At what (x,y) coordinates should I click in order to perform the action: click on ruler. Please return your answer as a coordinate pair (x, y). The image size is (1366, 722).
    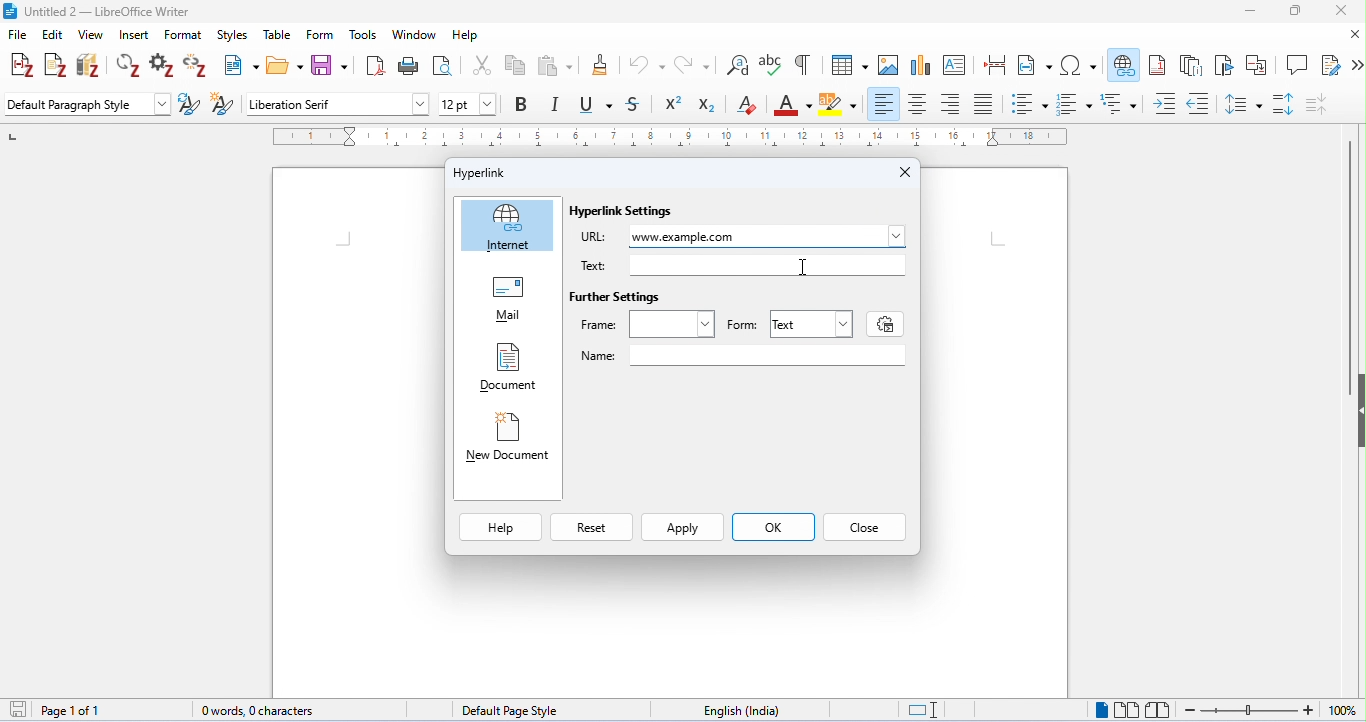
    Looking at the image, I should click on (670, 137).